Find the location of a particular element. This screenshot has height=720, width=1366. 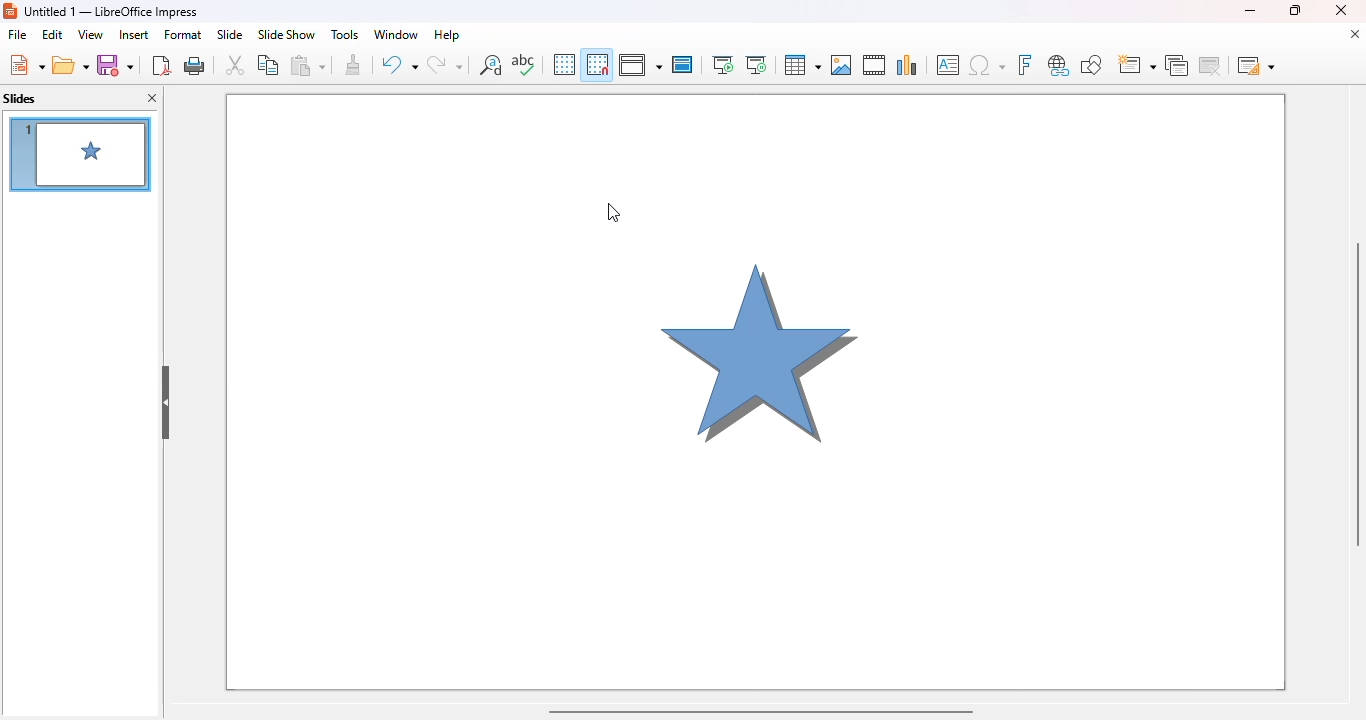

new is located at coordinates (26, 65).